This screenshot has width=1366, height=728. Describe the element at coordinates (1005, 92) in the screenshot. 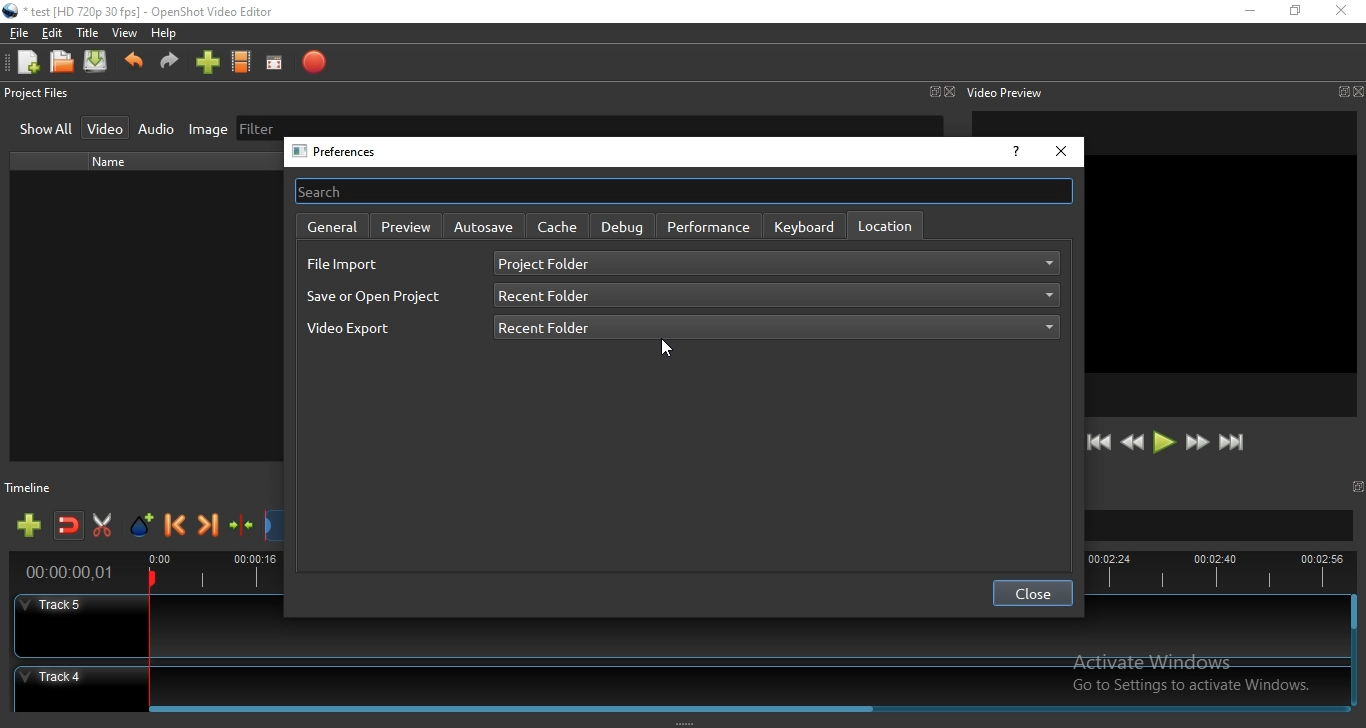

I see `Video preview` at that location.